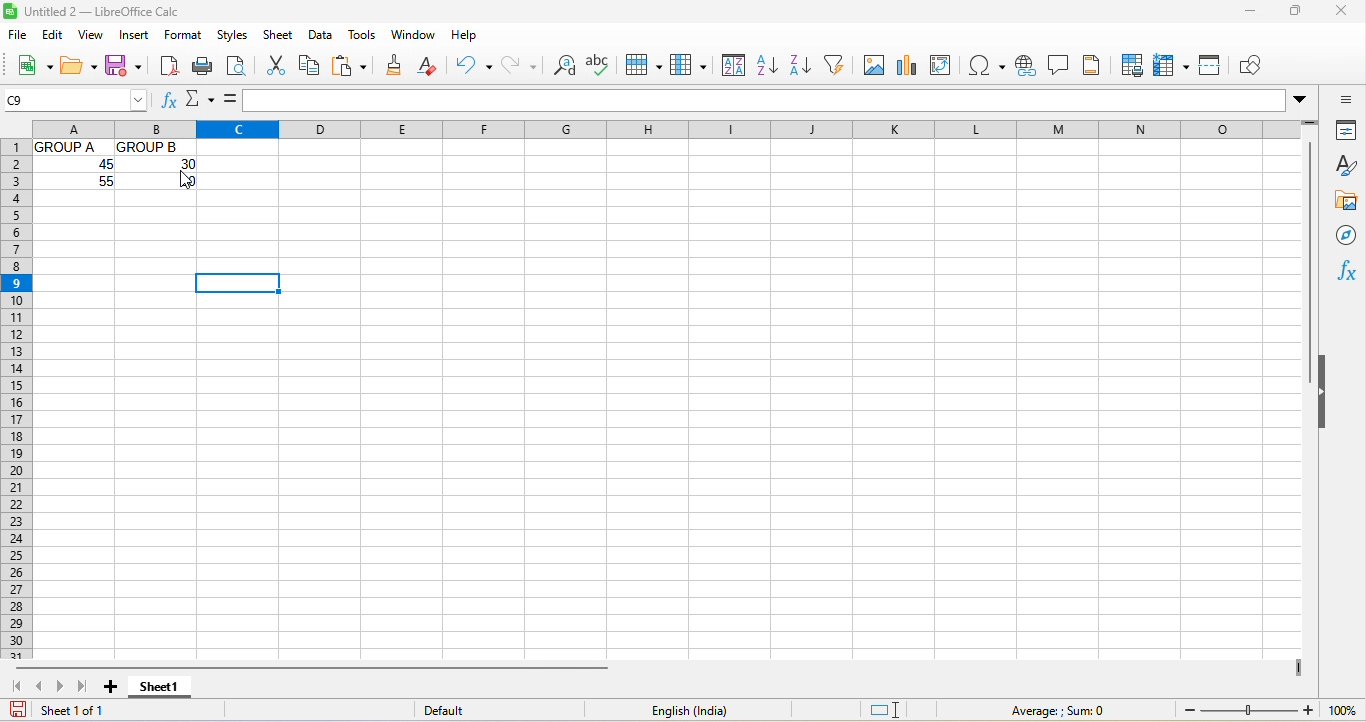 Image resolution: width=1366 pixels, height=722 pixels. Describe the element at coordinates (166, 688) in the screenshot. I see `sheet 1` at that location.